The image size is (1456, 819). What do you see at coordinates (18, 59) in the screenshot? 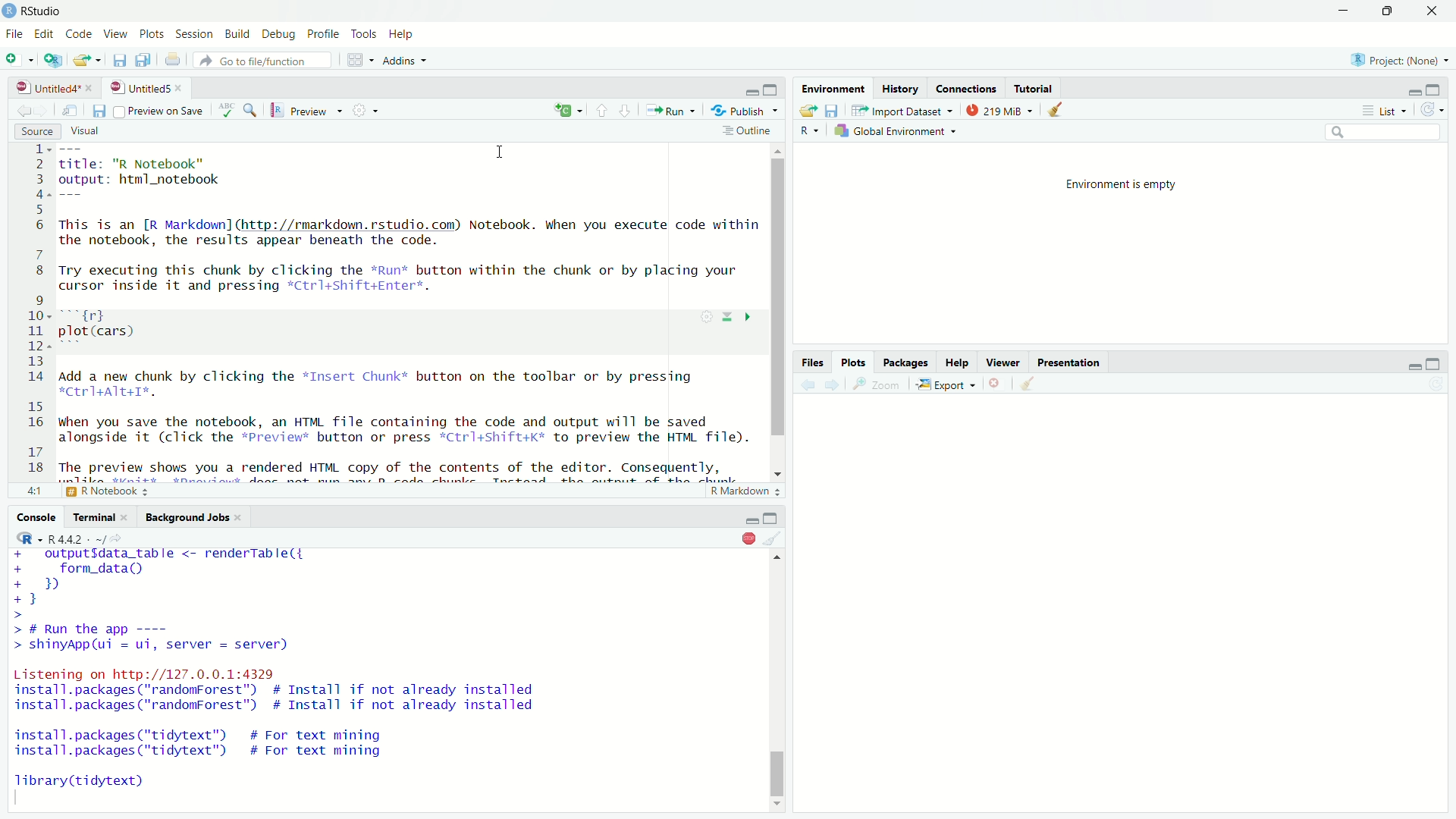
I see `New file` at bounding box center [18, 59].